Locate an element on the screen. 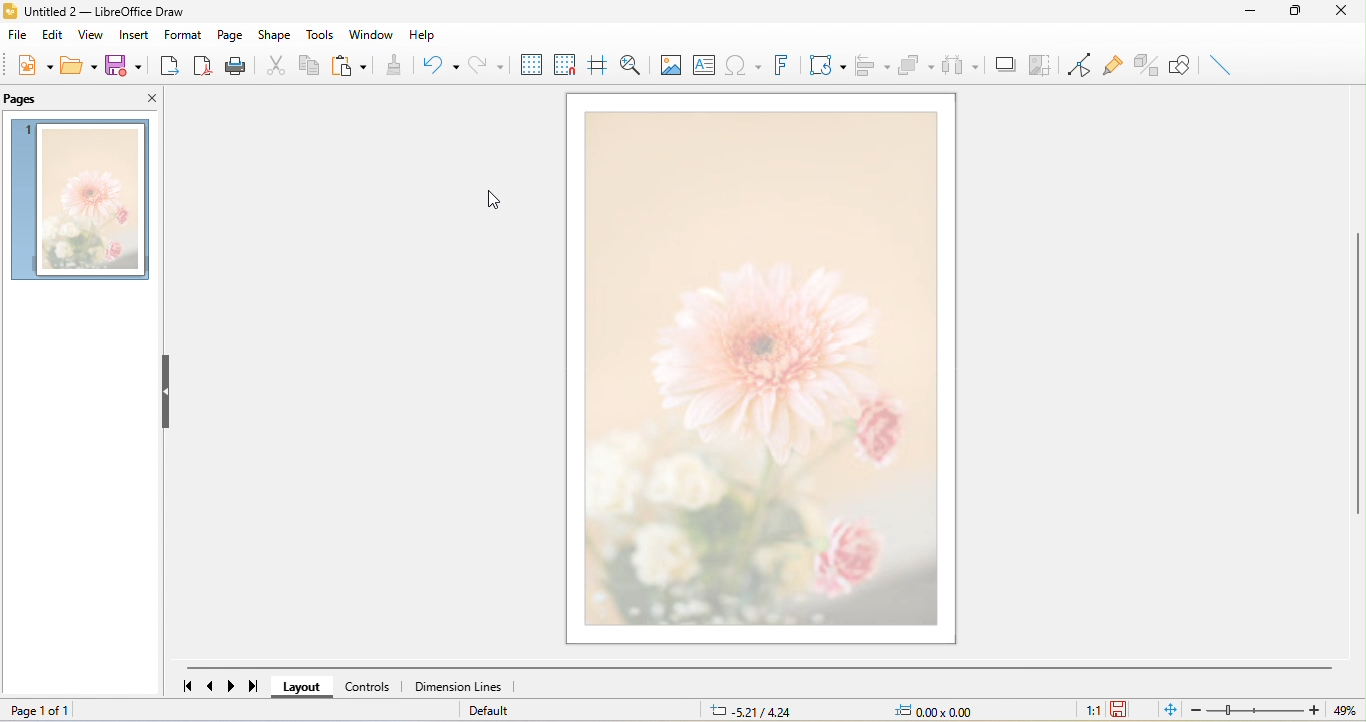 Image resolution: width=1366 pixels, height=722 pixels. page is located at coordinates (232, 34).